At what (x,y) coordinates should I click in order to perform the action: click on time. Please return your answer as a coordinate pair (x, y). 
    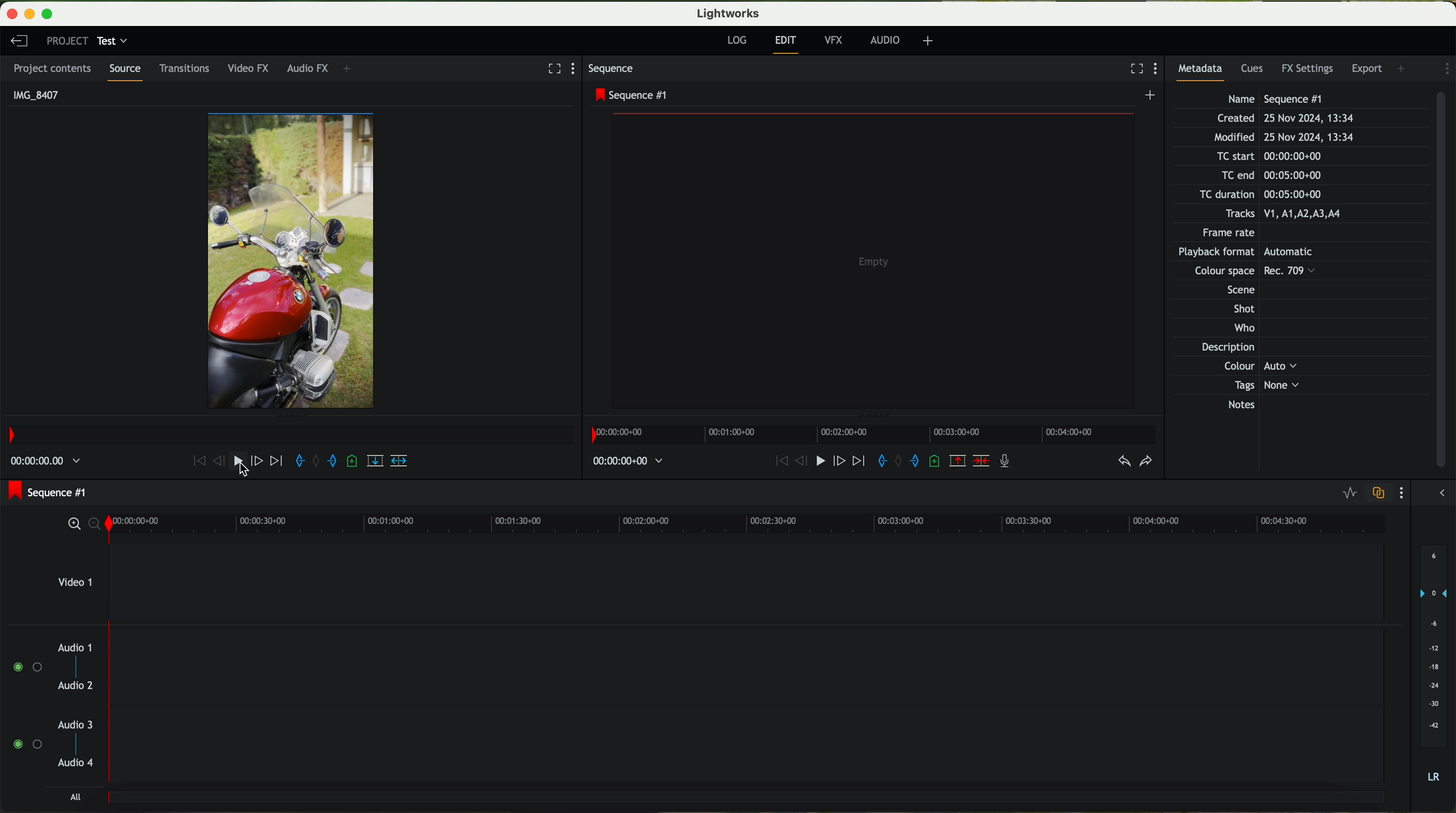
    Looking at the image, I should click on (630, 461).